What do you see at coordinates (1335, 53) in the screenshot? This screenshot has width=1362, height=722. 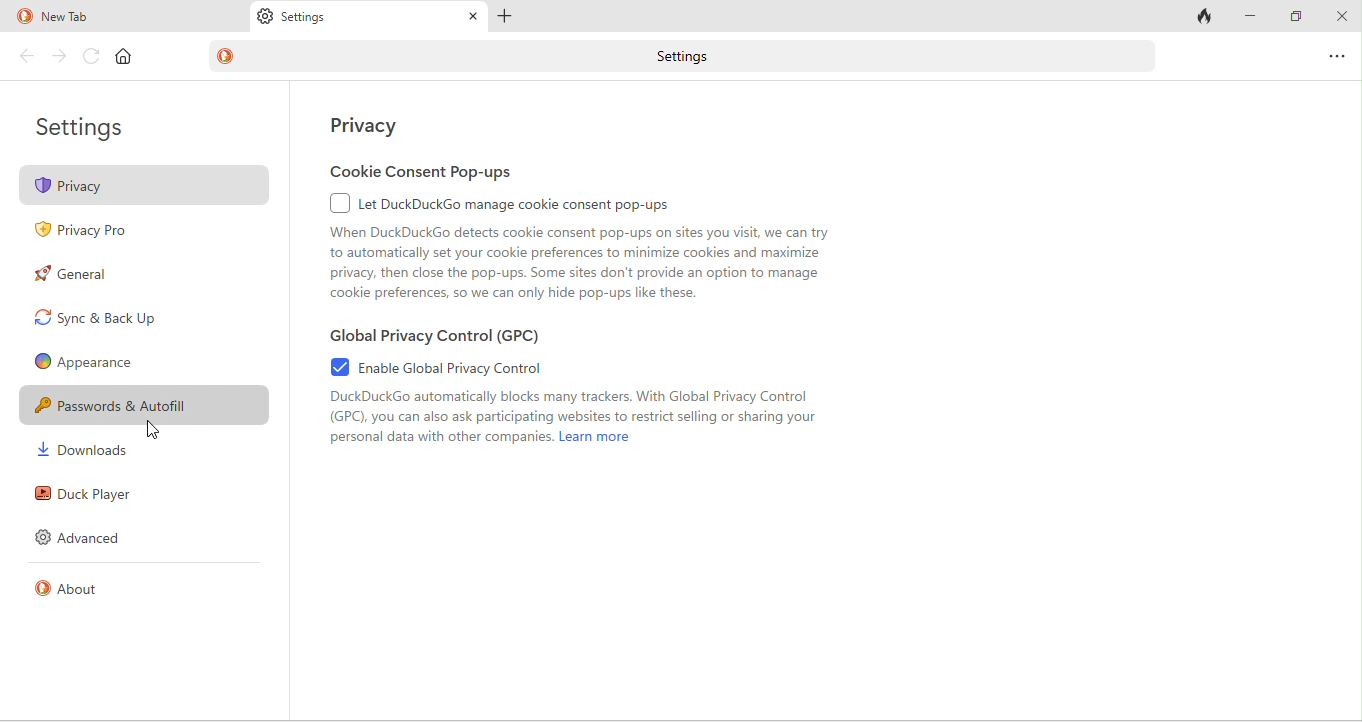 I see `options` at bounding box center [1335, 53].